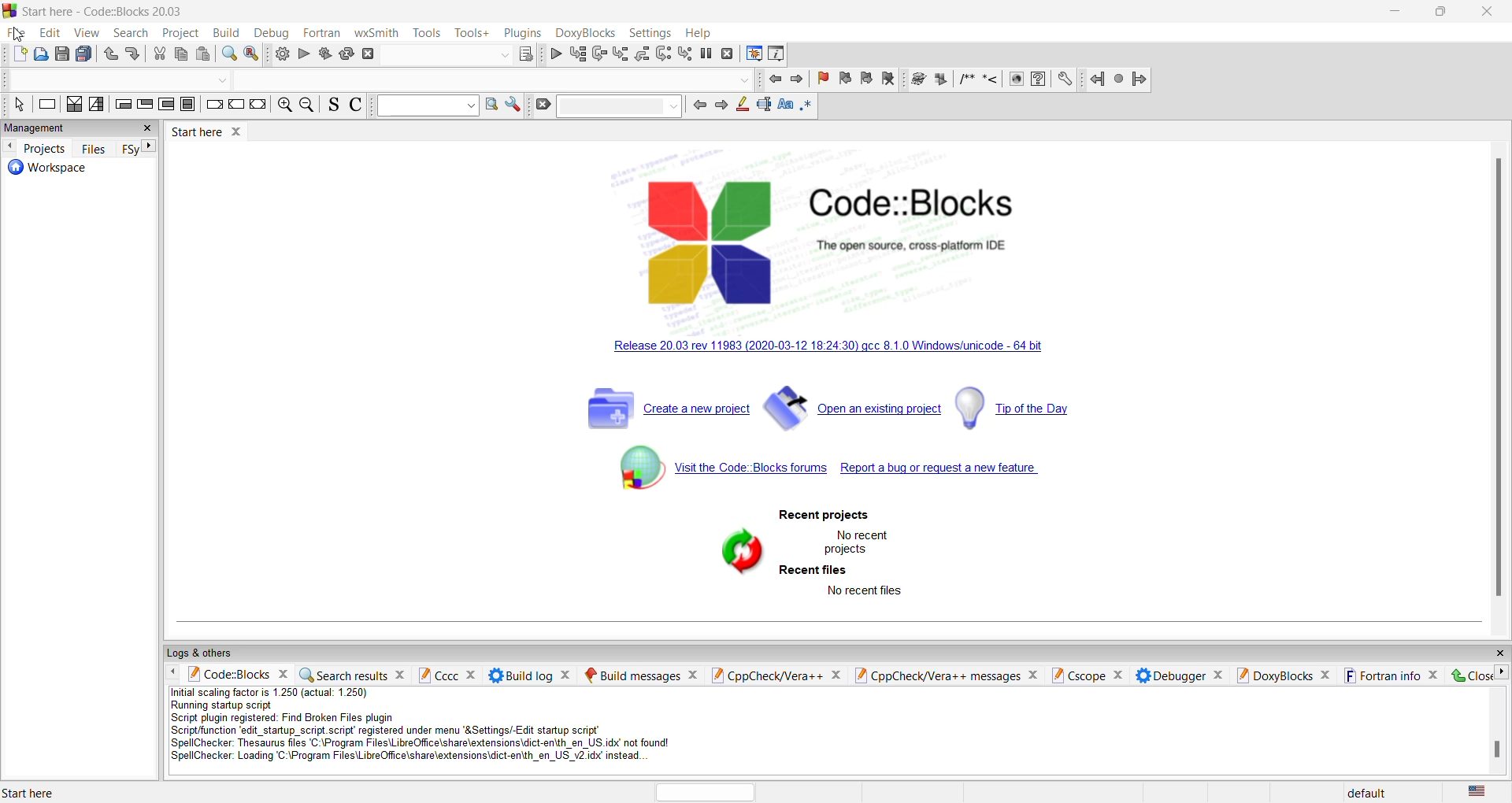  Describe the element at coordinates (1380, 675) in the screenshot. I see `fortran info` at that location.